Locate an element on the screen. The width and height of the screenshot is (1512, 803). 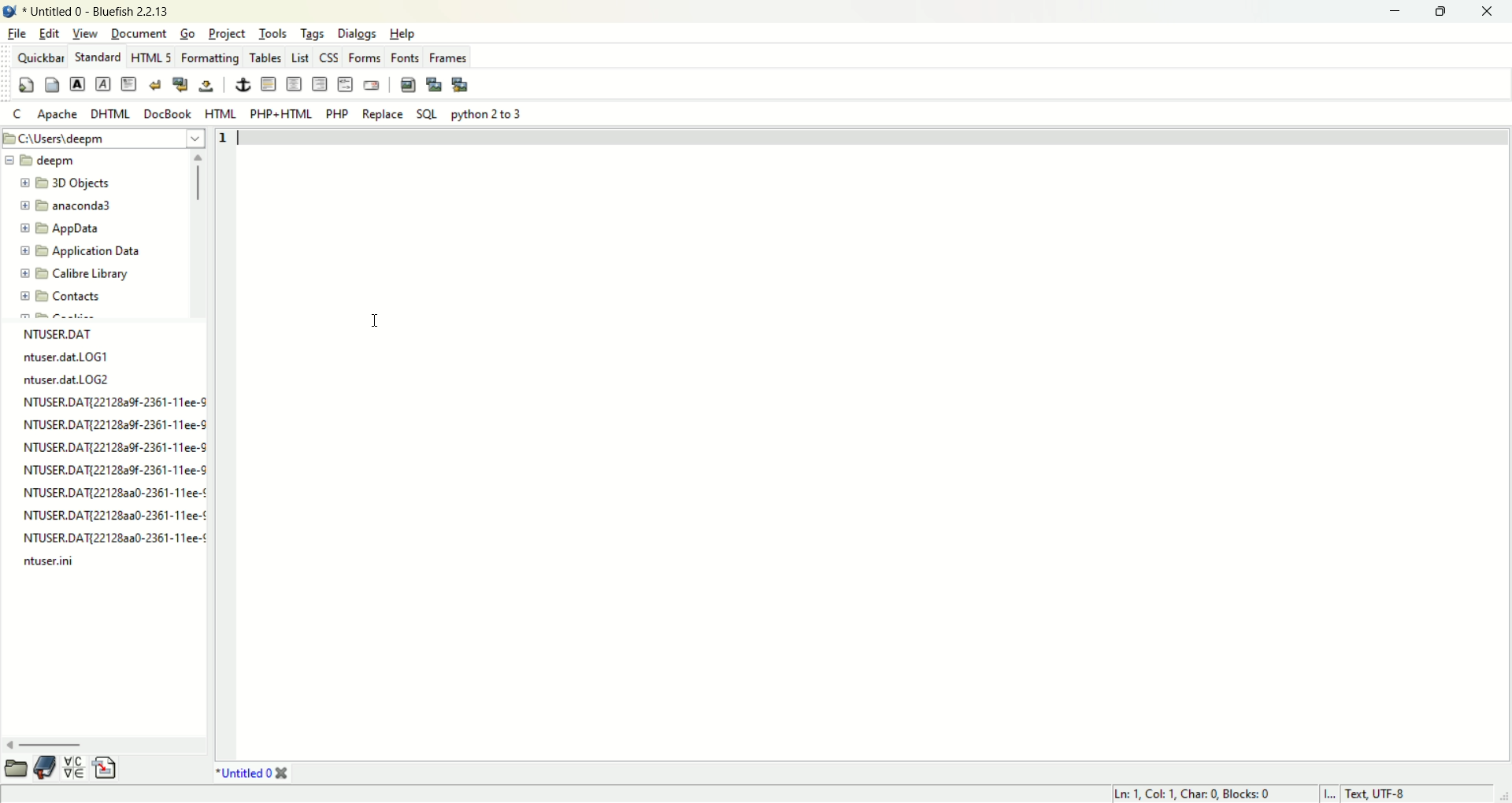
ntuser.ini is located at coordinates (48, 562).